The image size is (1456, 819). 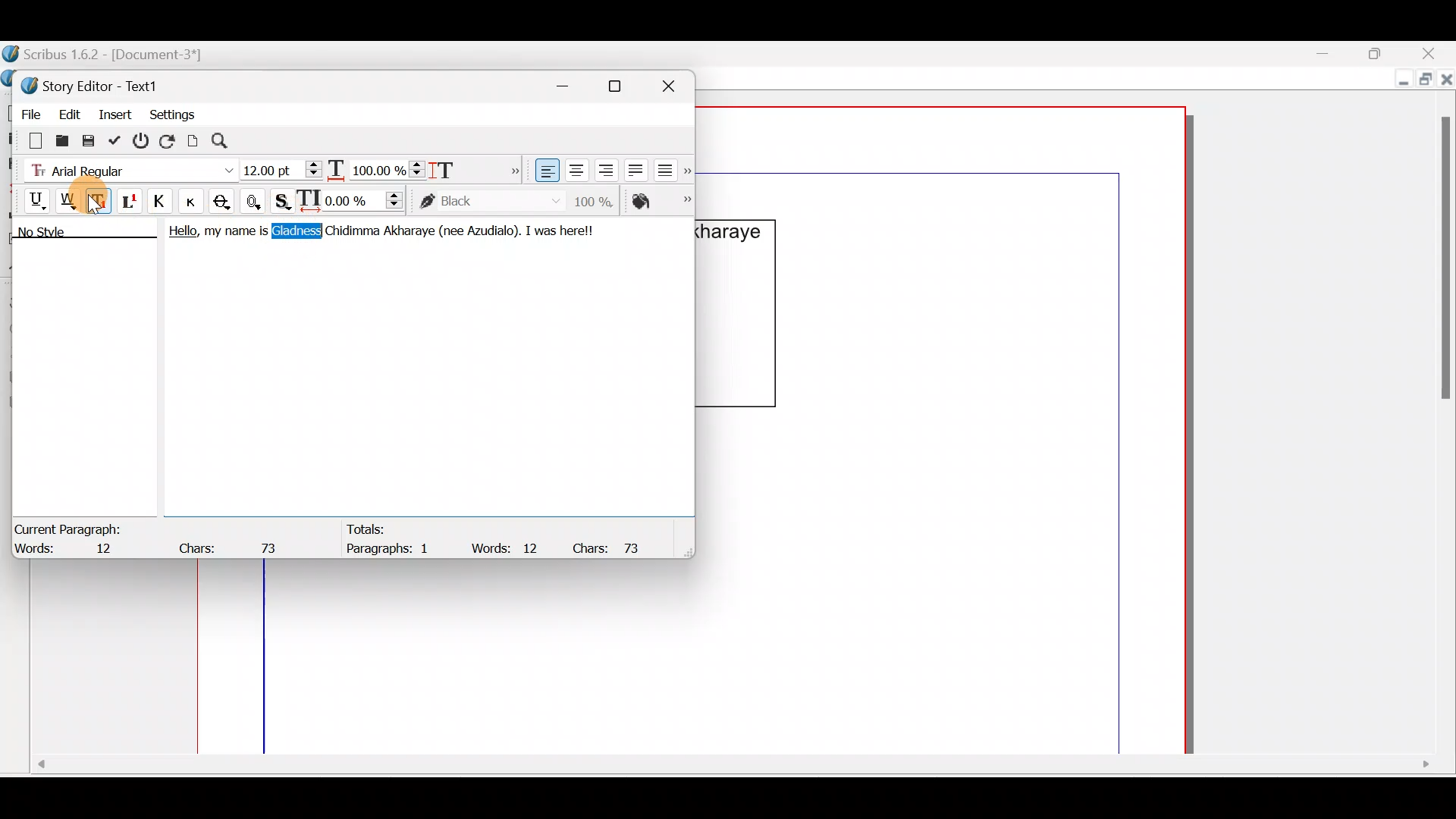 I want to click on Subscript, so click(x=101, y=199).